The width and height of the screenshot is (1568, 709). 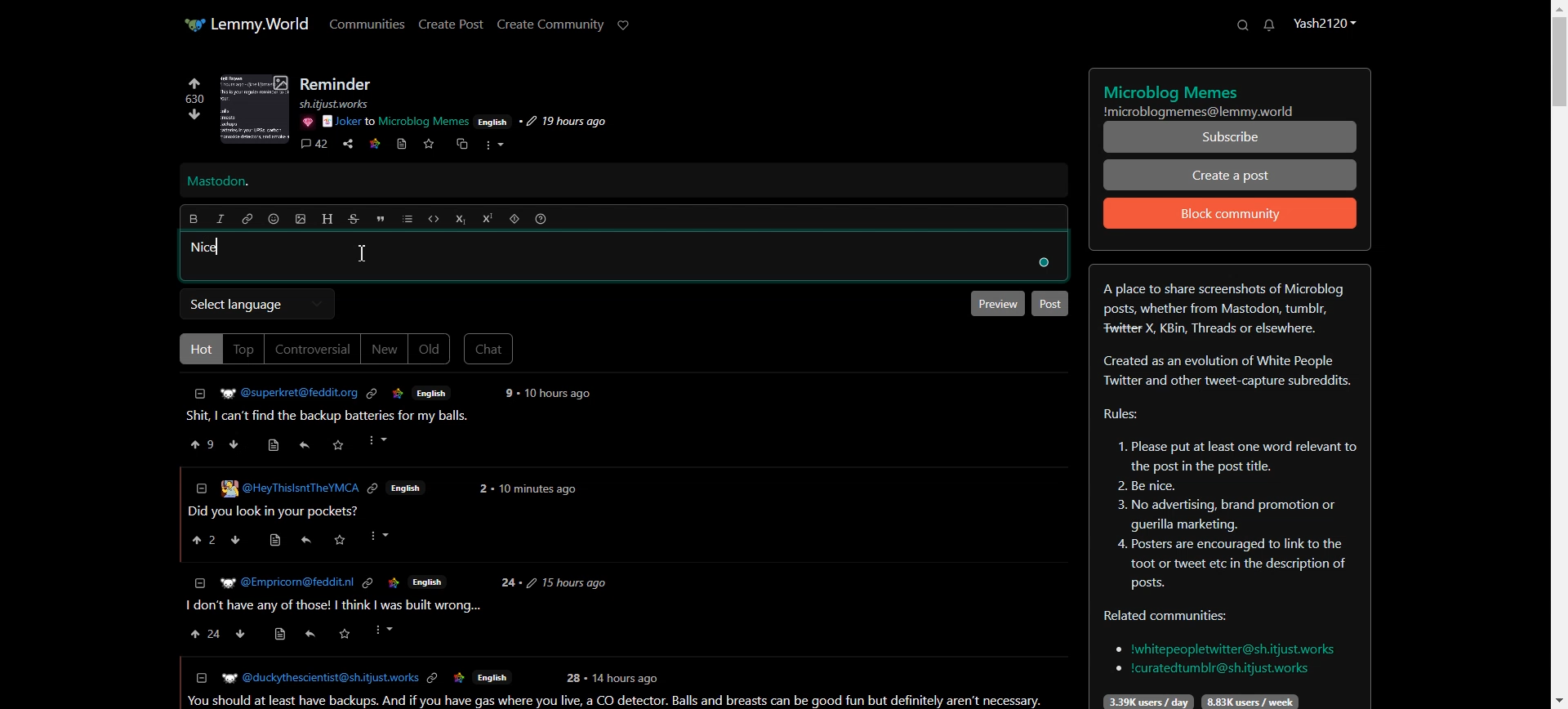 What do you see at coordinates (1270, 25) in the screenshot?
I see `Unread Messages` at bounding box center [1270, 25].